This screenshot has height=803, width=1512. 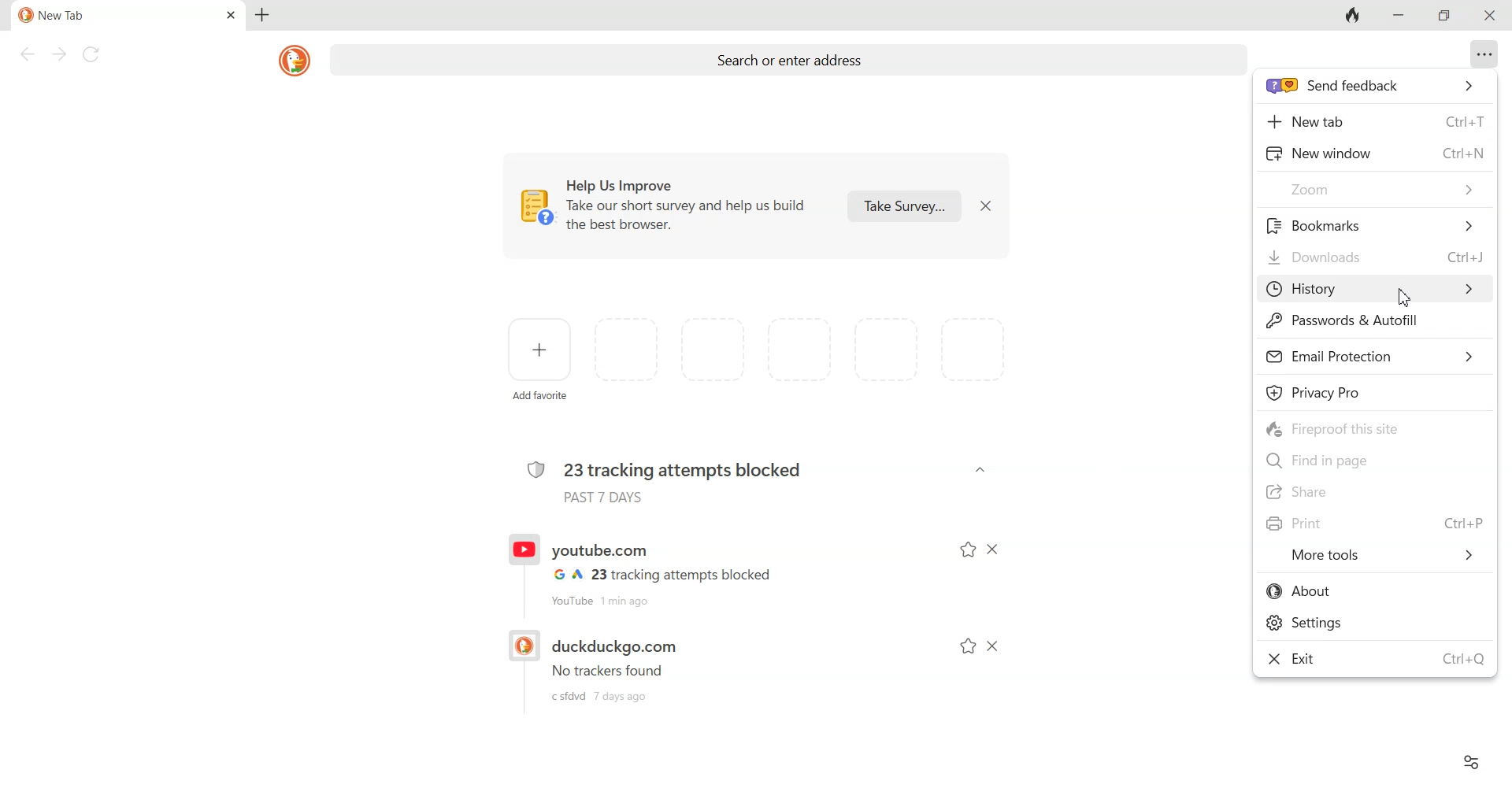 What do you see at coordinates (1374, 257) in the screenshot?
I see `Downloads` at bounding box center [1374, 257].